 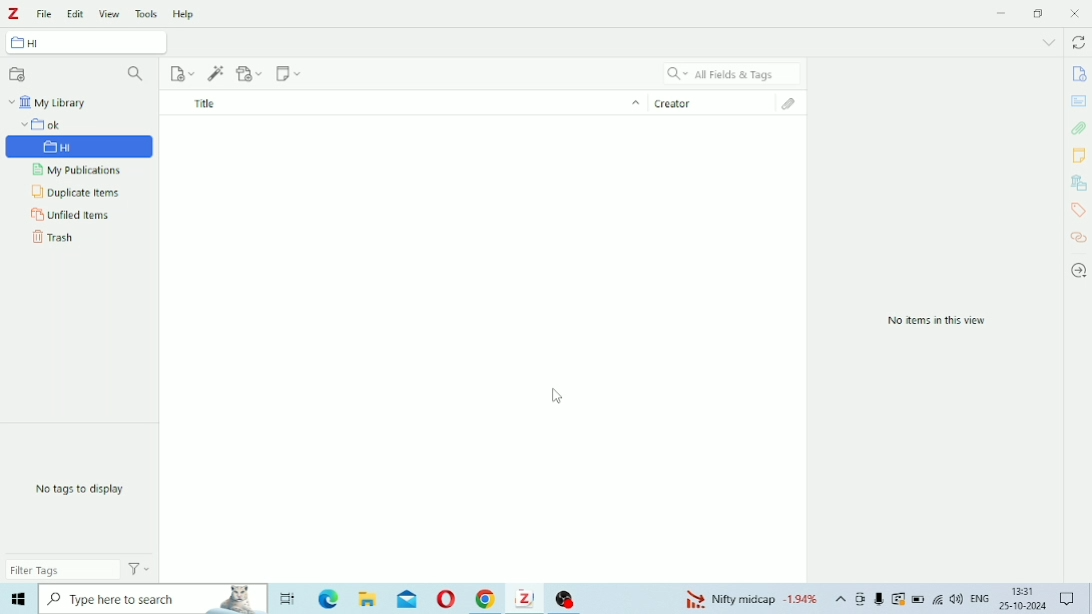 What do you see at coordinates (147, 13) in the screenshot?
I see `Tools` at bounding box center [147, 13].